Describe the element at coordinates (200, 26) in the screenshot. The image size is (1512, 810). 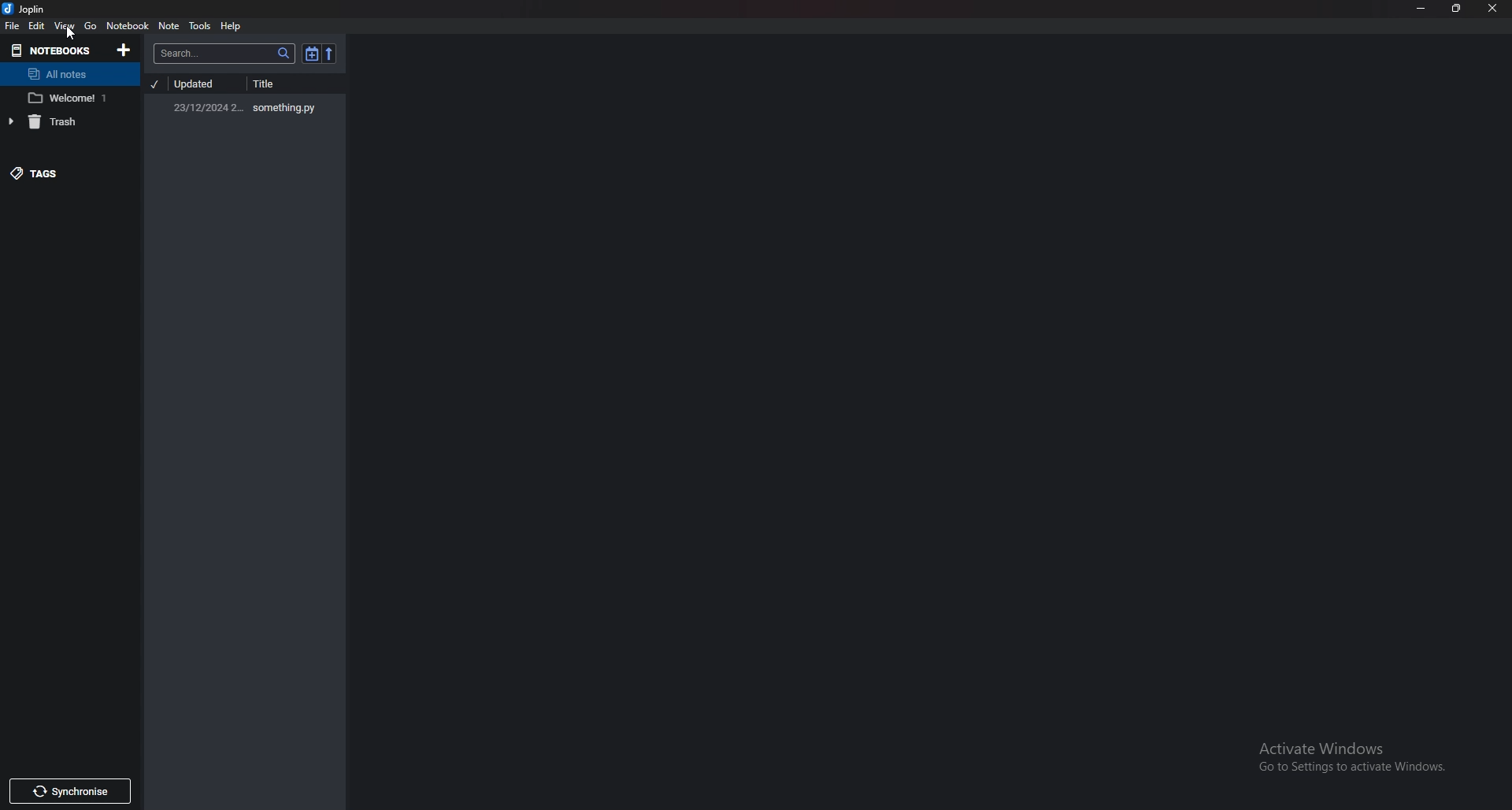
I see `Tools` at that location.